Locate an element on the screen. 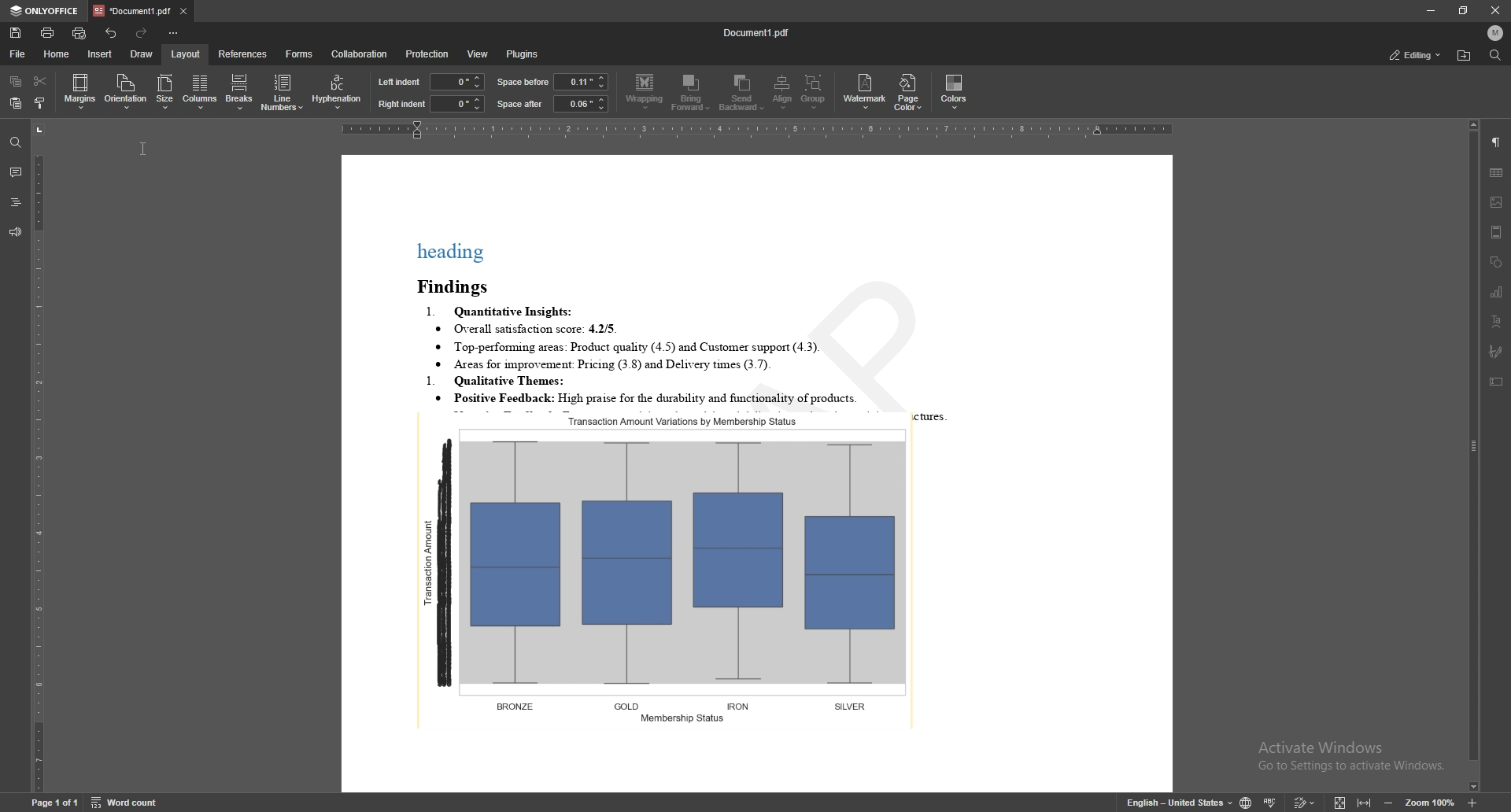 The width and height of the screenshot is (1511, 812). status is located at coordinates (1417, 54).